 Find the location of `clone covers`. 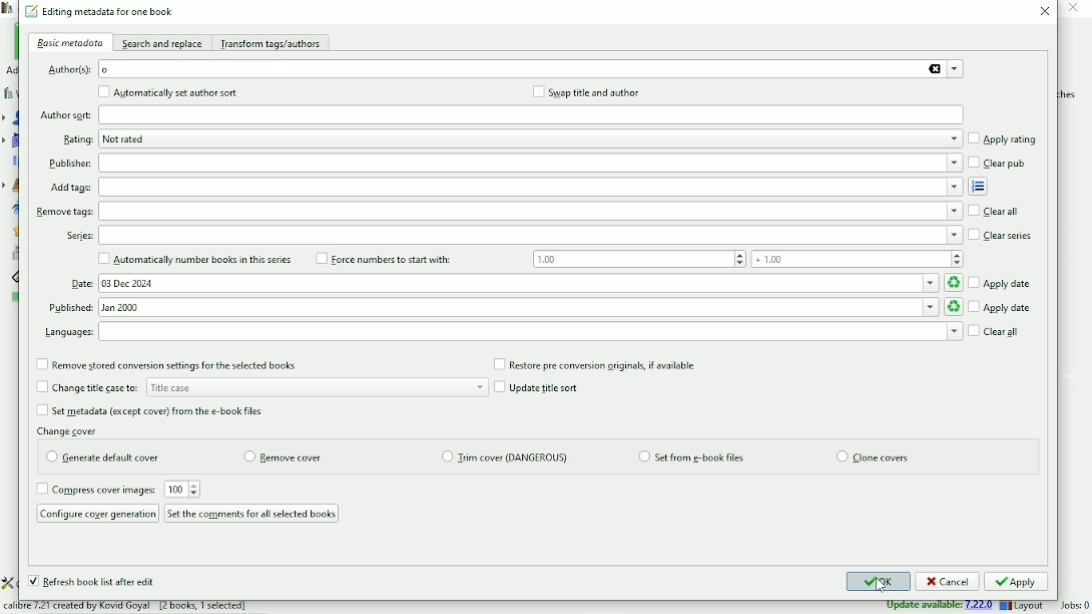

clone covers is located at coordinates (873, 456).